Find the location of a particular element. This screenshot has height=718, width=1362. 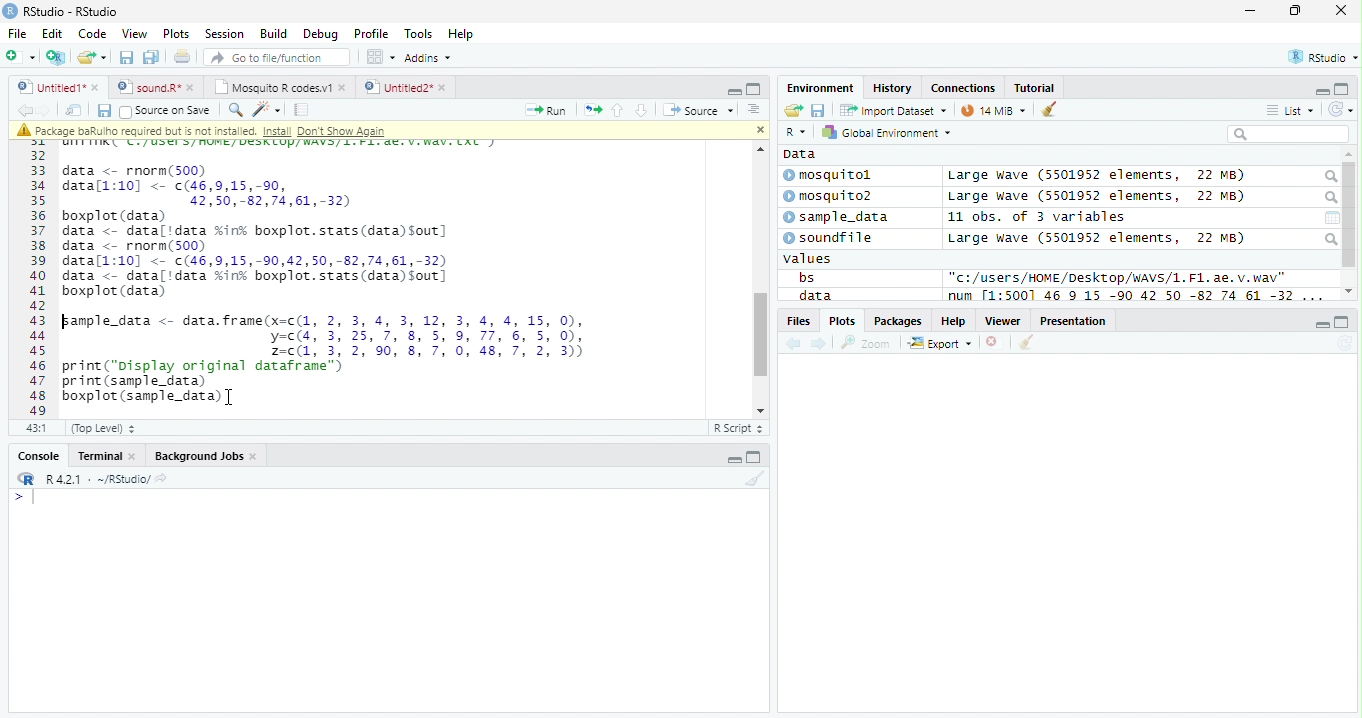

Save is located at coordinates (818, 110).